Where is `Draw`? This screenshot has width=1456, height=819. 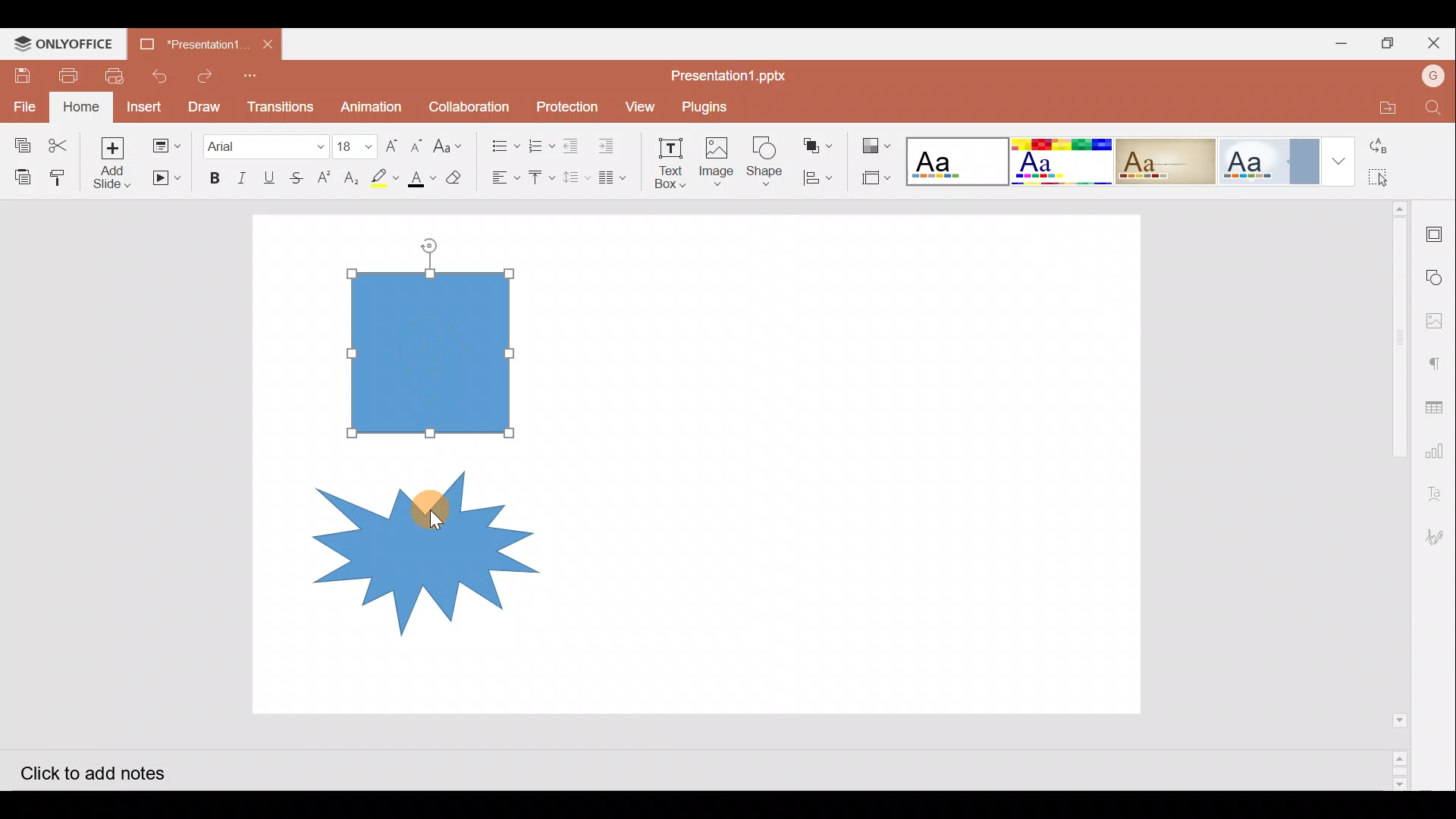
Draw is located at coordinates (205, 105).